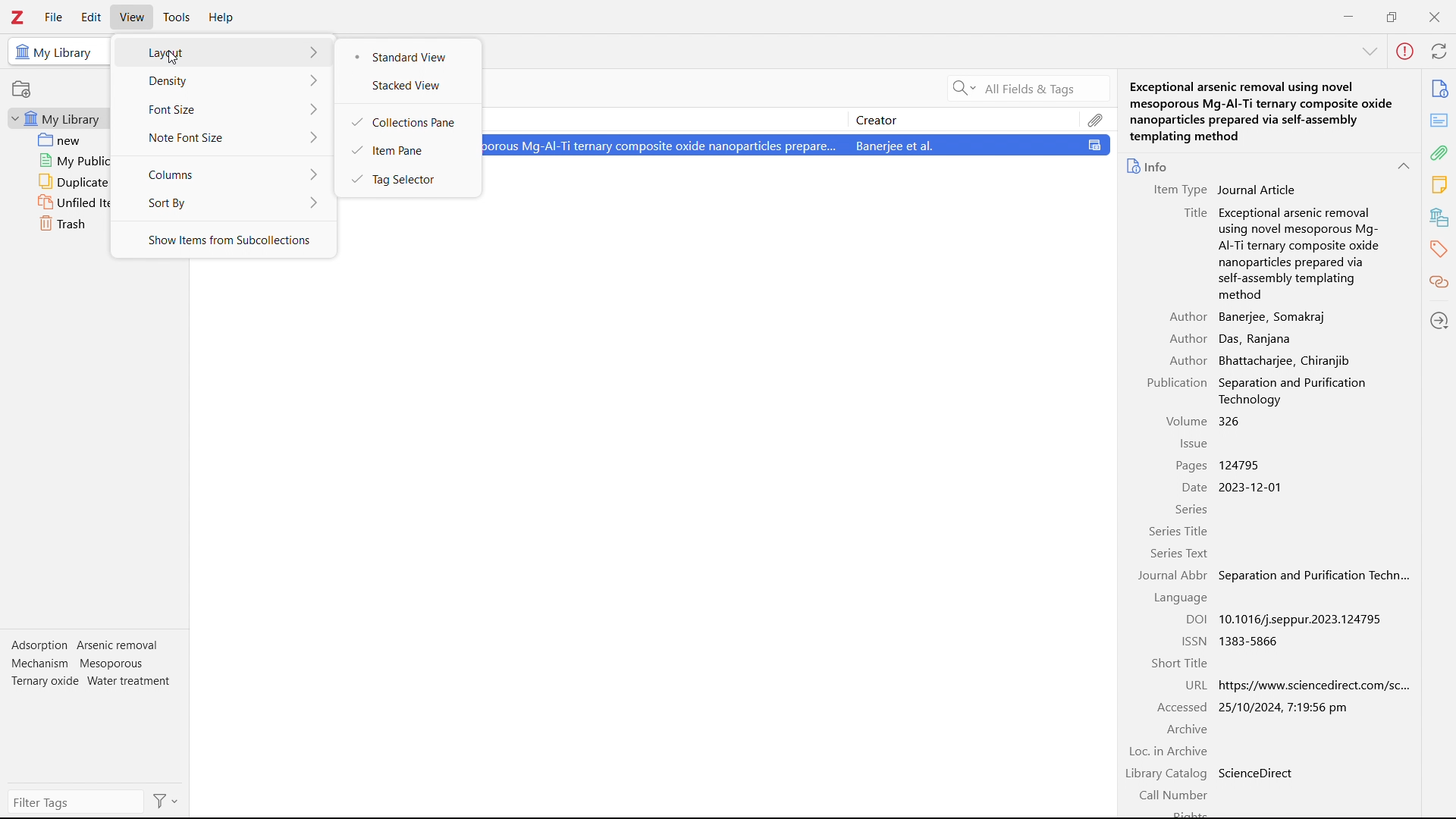  Describe the element at coordinates (1149, 165) in the screenshot. I see `info` at that location.